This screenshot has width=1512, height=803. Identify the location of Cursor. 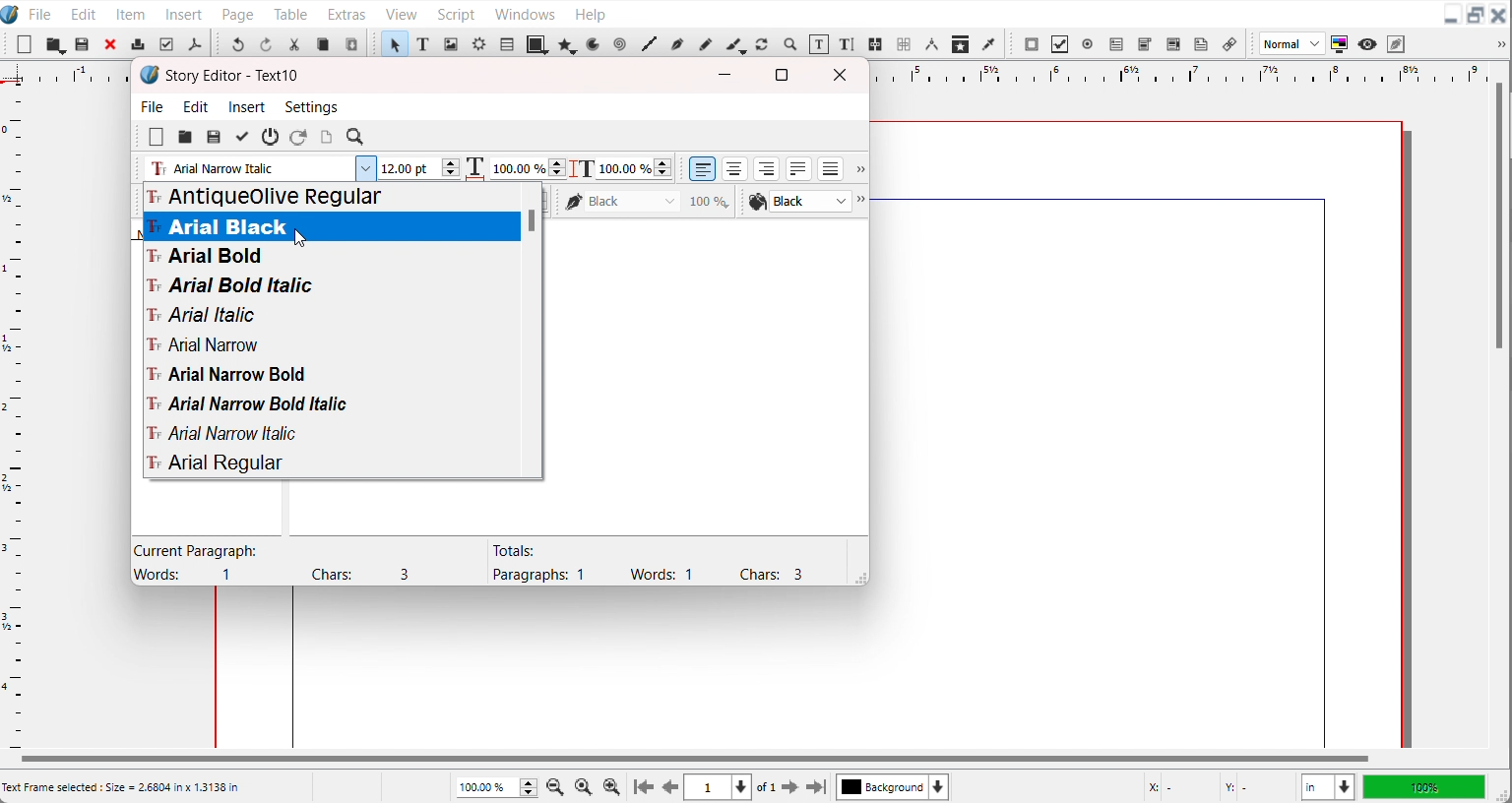
(300, 238).